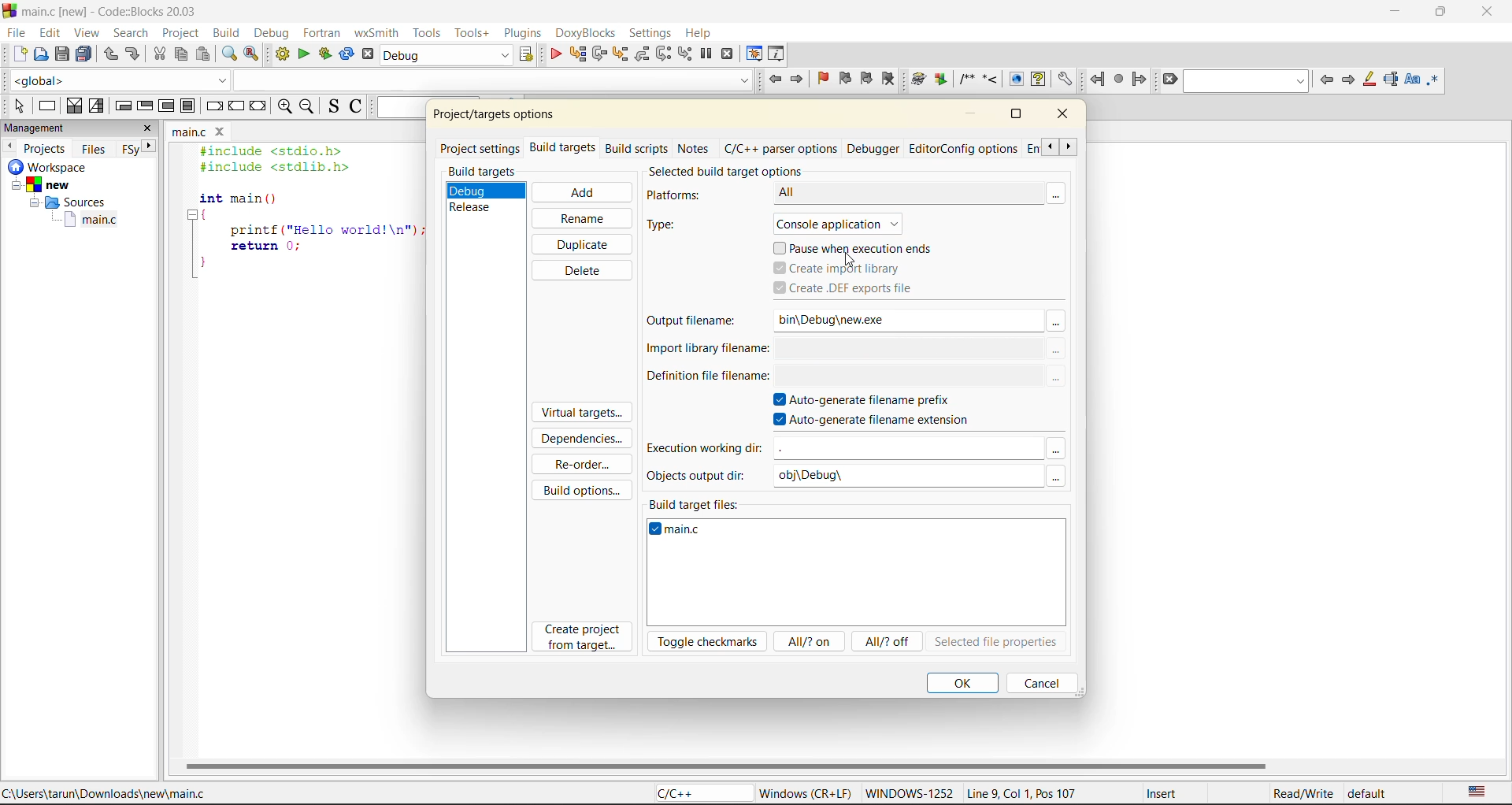 The height and width of the screenshot is (805, 1512). Describe the element at coordinates (206, 55) in the screenshot. I see `paste` at that location.